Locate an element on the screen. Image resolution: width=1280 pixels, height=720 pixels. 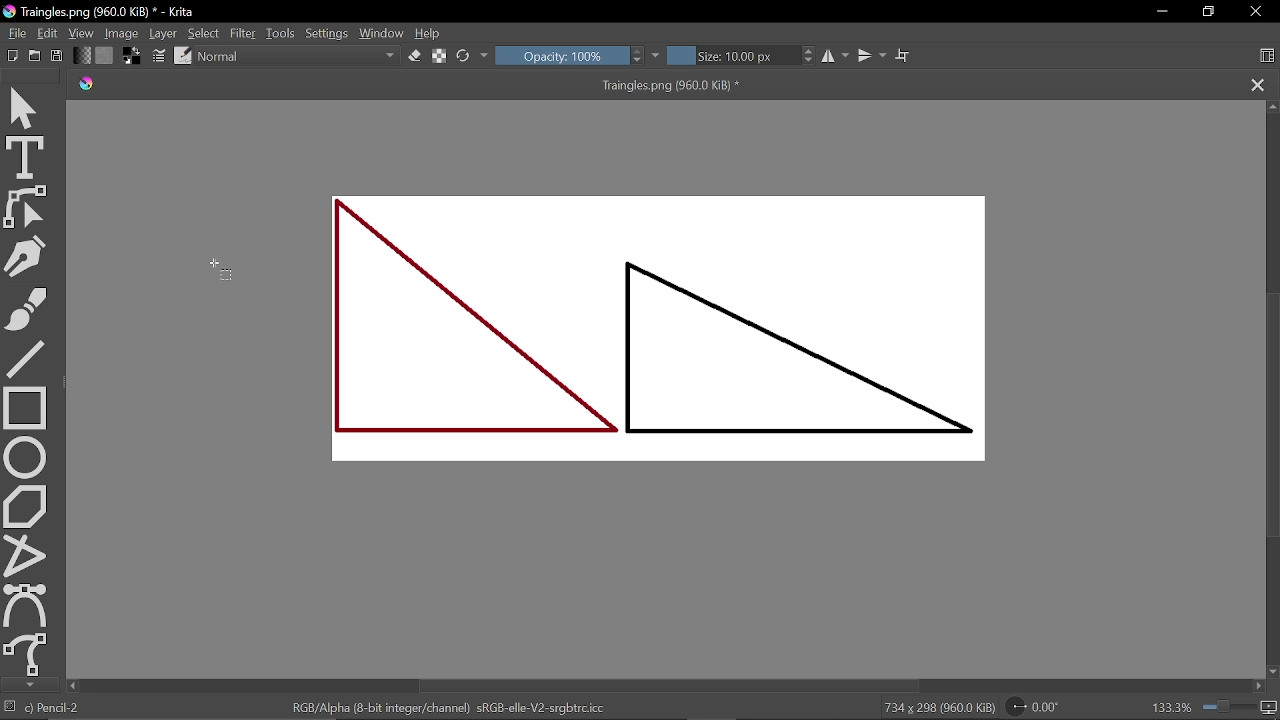
Two triangles is located at coordinates (672, 337).